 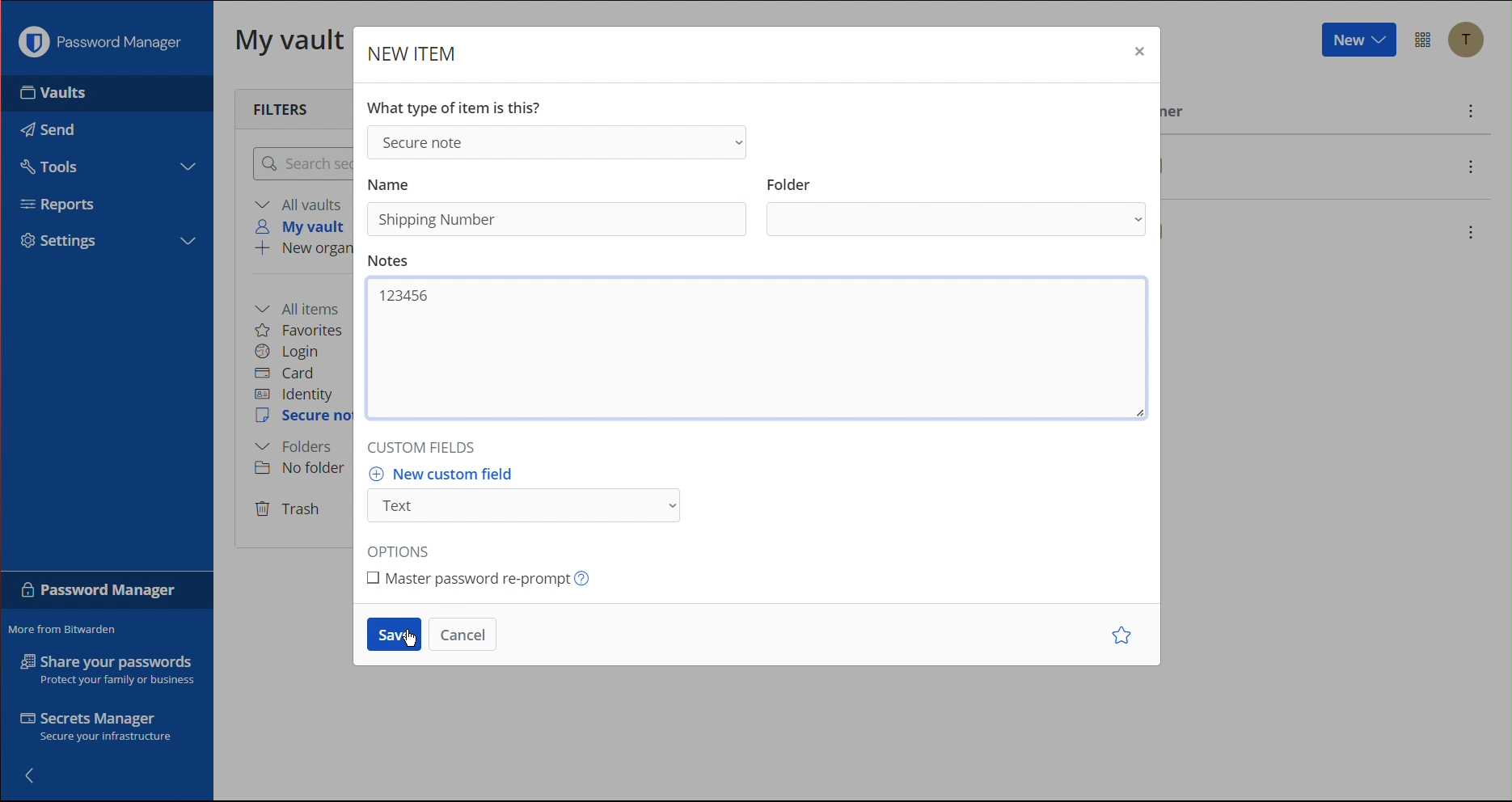 What do you see at coordinates (1118, 635) in the screenshot?
I see `Star` at bounding box center [1118, 635].